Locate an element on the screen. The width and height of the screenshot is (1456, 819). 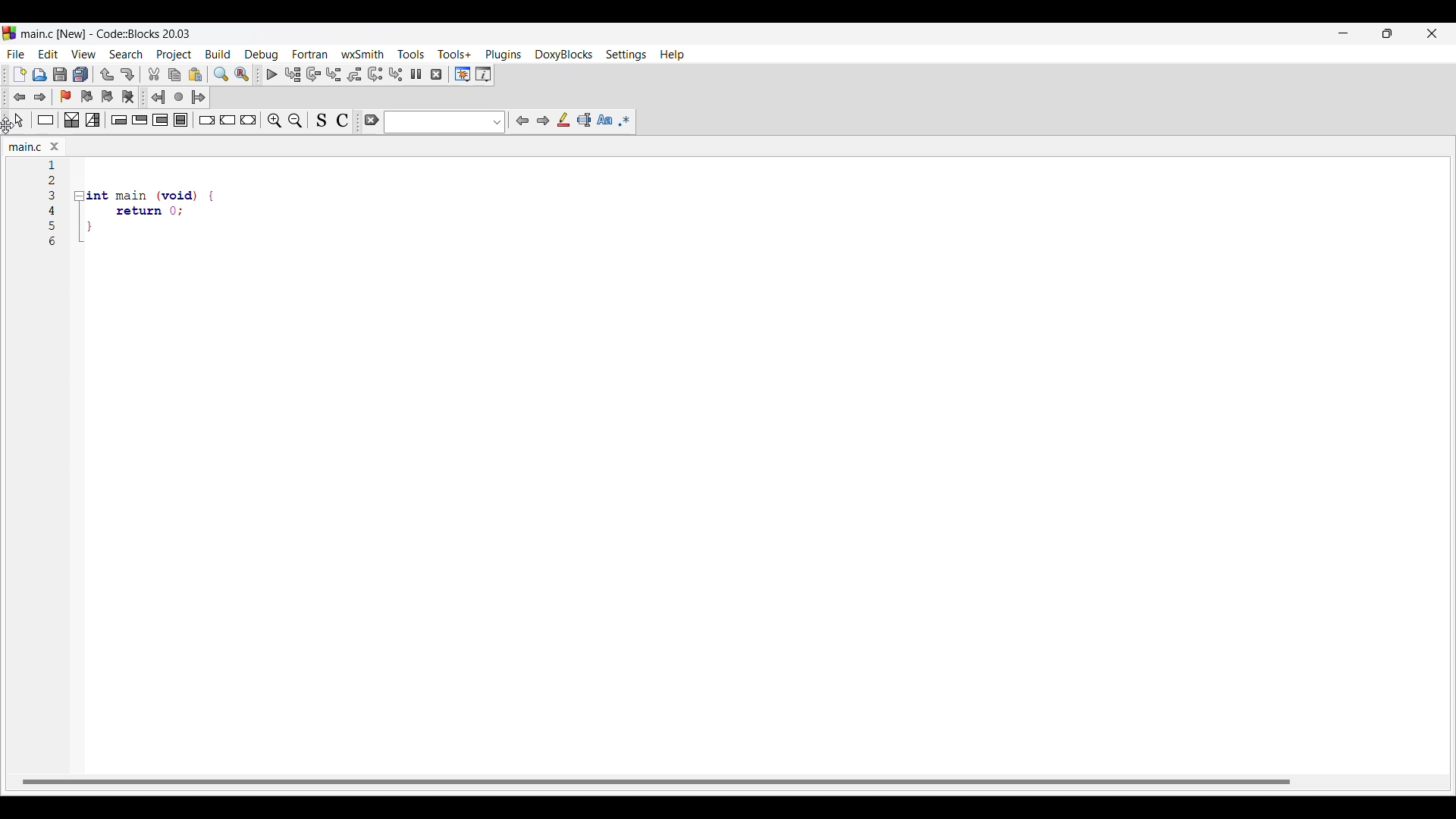
Close interface is located at coordinates (1432, 33).